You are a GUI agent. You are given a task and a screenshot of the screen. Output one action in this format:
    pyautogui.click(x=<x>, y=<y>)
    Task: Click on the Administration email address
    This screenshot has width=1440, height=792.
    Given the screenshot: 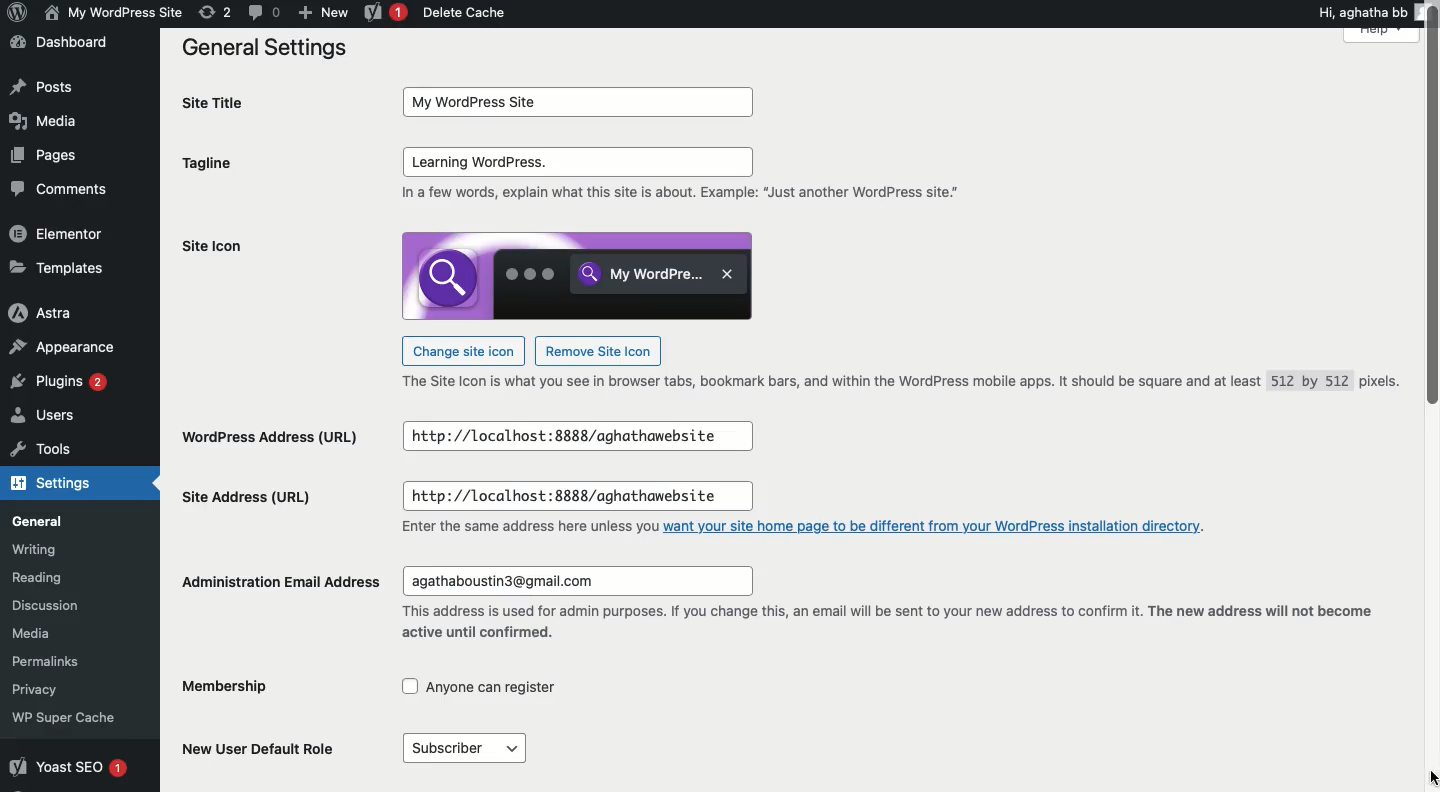 What is the action you would take?
    pyautogui.click(x=286, y=581)
    